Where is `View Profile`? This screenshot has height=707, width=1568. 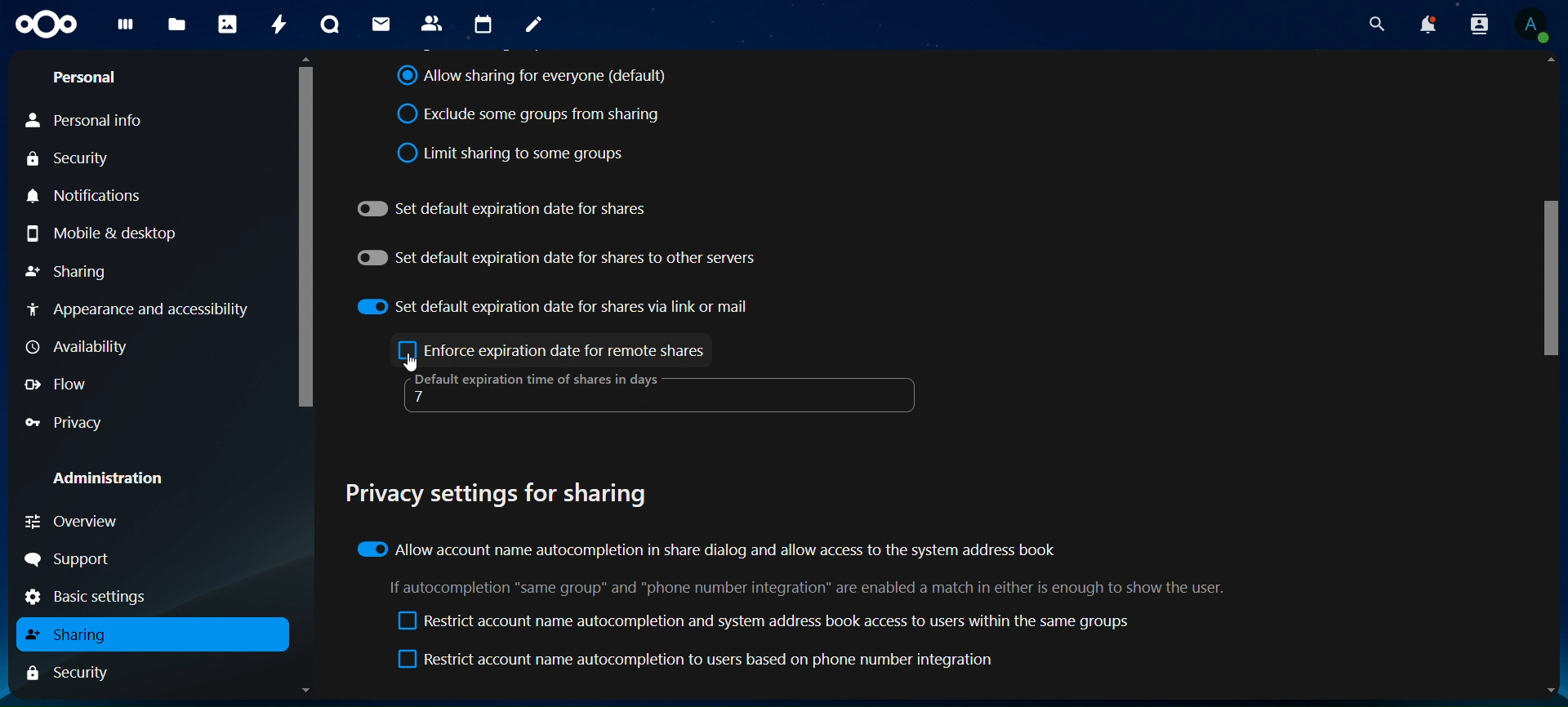
View Profile is located at coordinates (1532, 27).